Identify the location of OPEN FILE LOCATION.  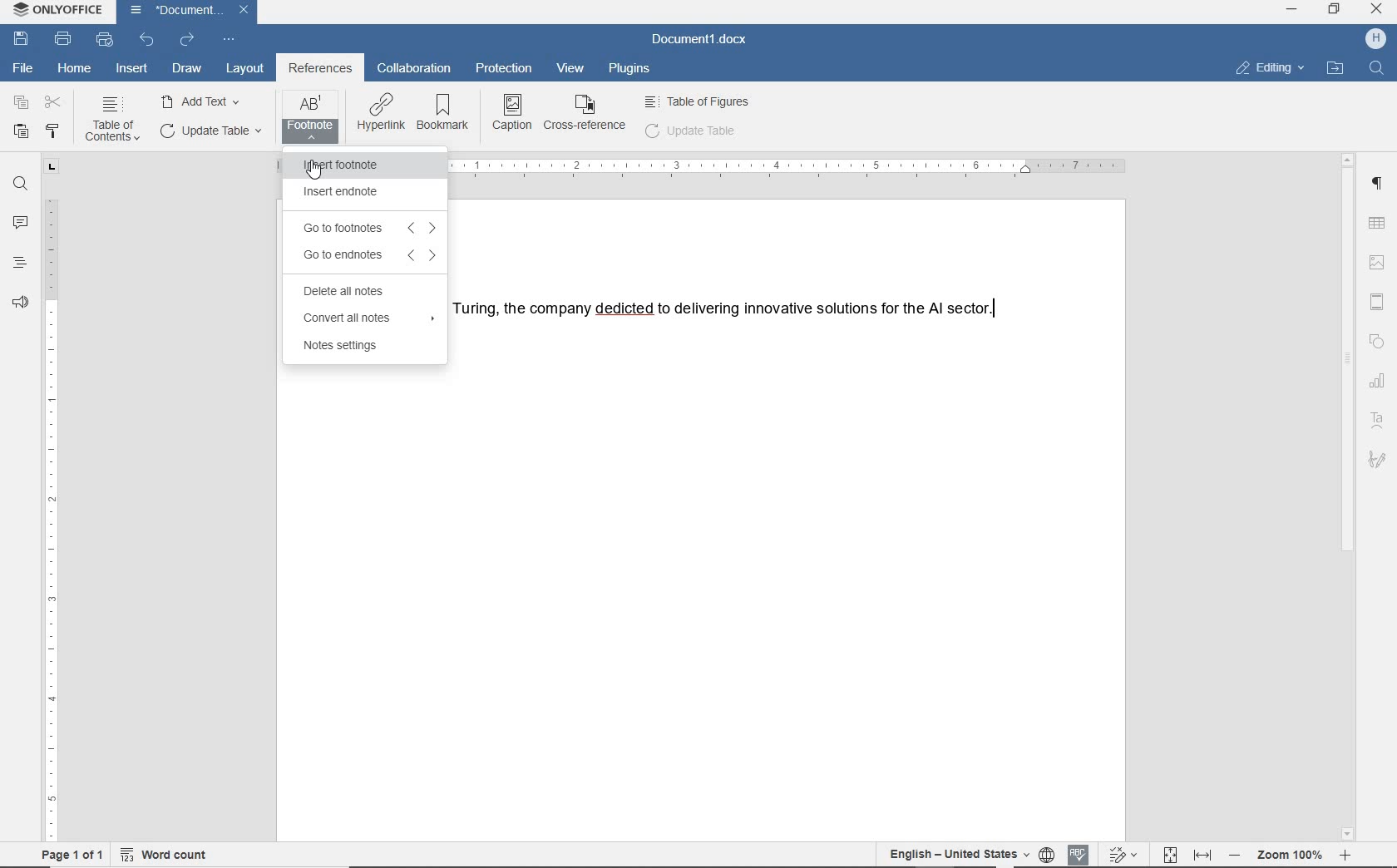
(1335, 67).